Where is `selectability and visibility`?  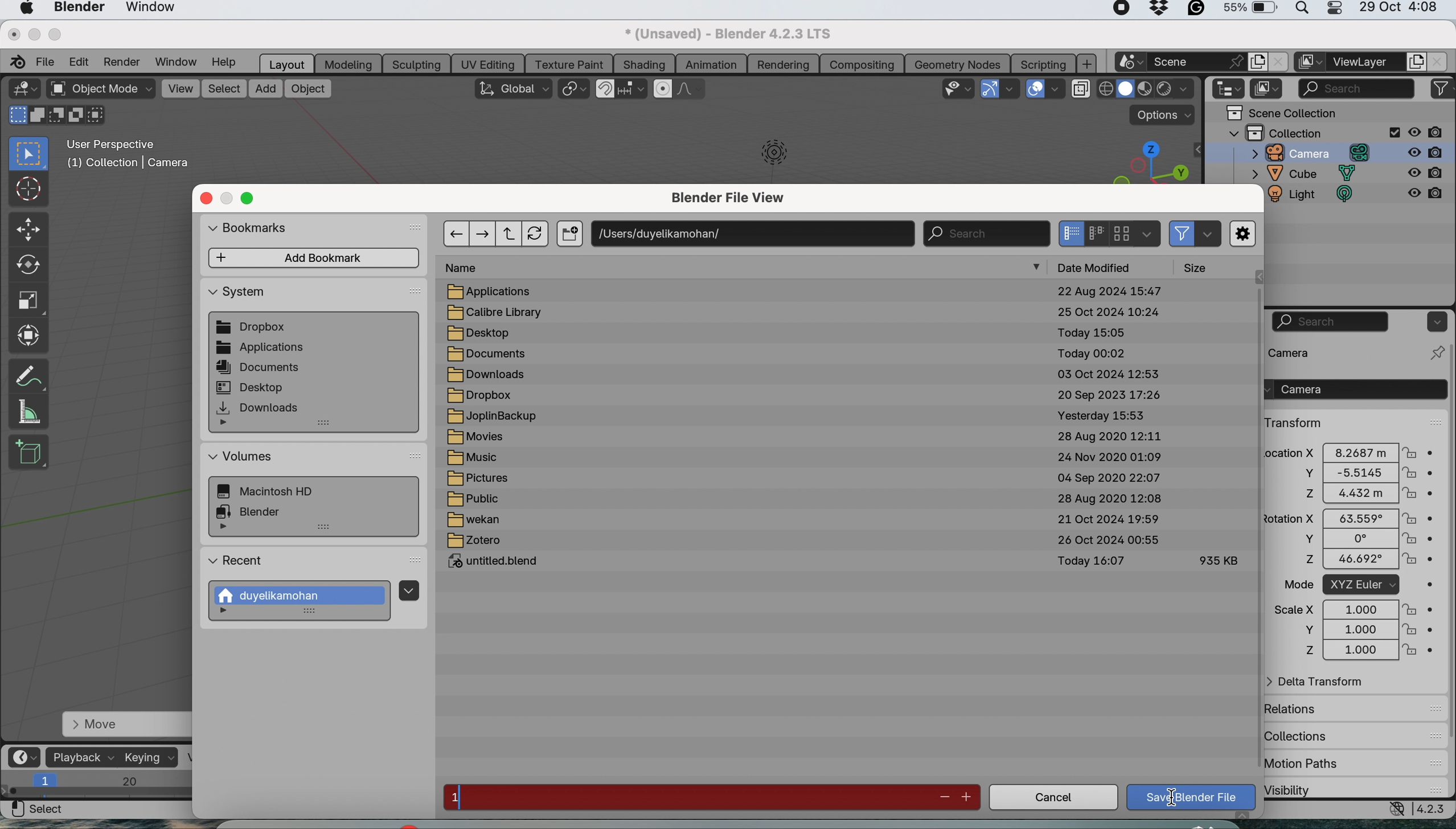 selectability and visibility is located at coordinates (959, 87).